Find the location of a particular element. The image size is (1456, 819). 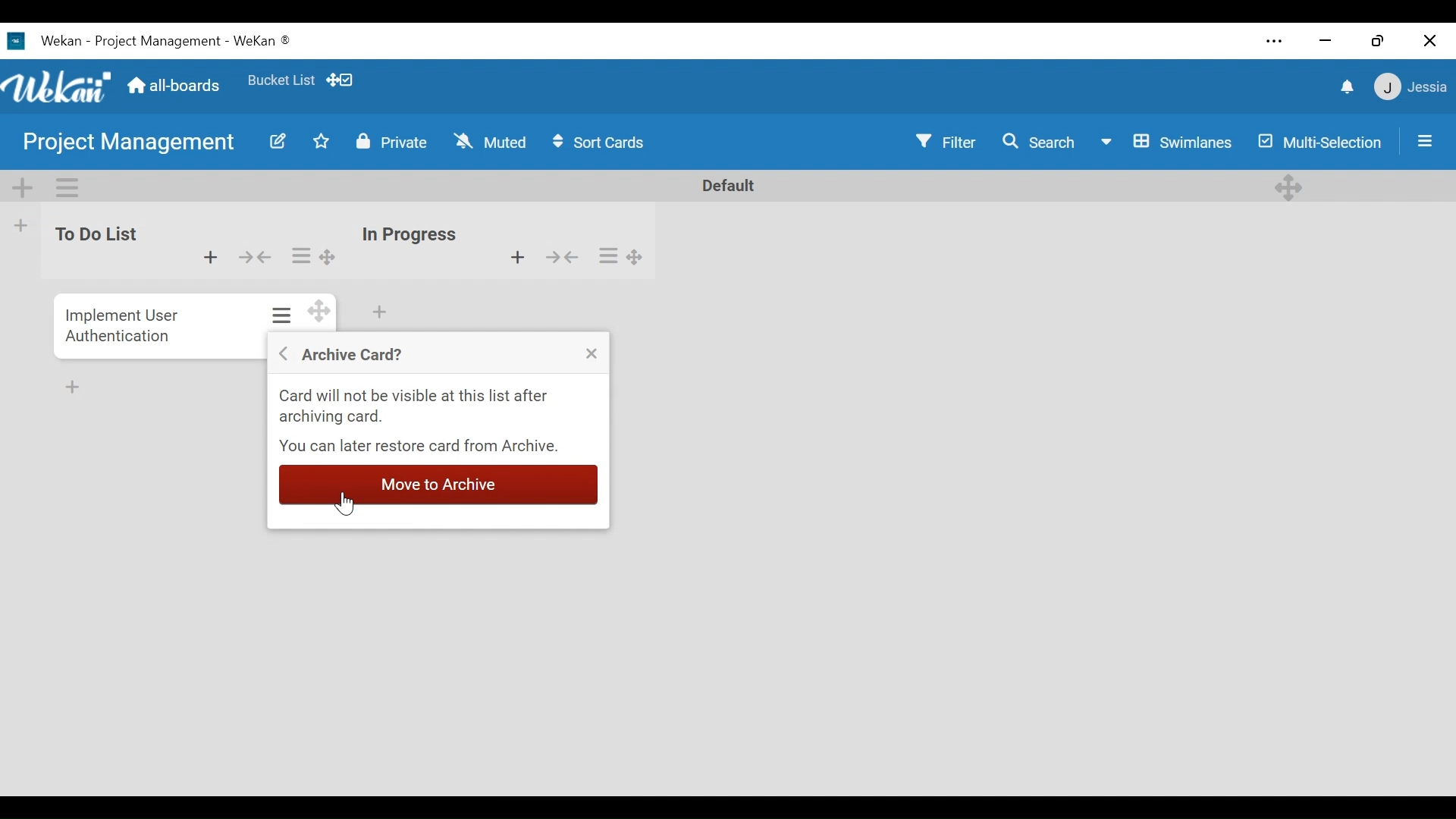

Swimlane actions is located at coordinates (67, 188).